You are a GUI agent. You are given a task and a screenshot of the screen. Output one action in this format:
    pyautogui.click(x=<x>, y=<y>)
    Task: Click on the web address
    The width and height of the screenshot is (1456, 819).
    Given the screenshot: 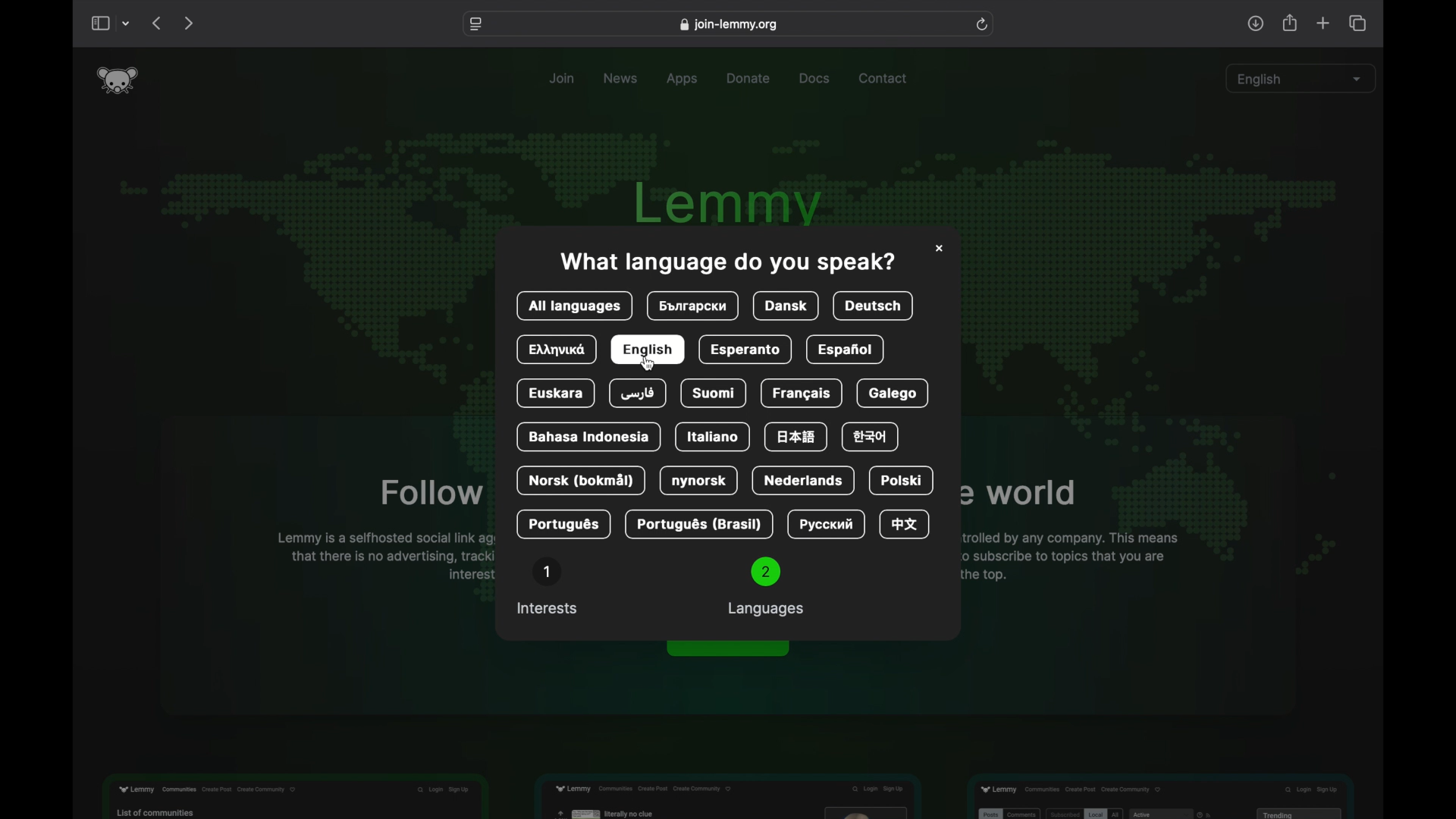 What is the action you would take?
    pyautogui.click(x=728, y=24)
    